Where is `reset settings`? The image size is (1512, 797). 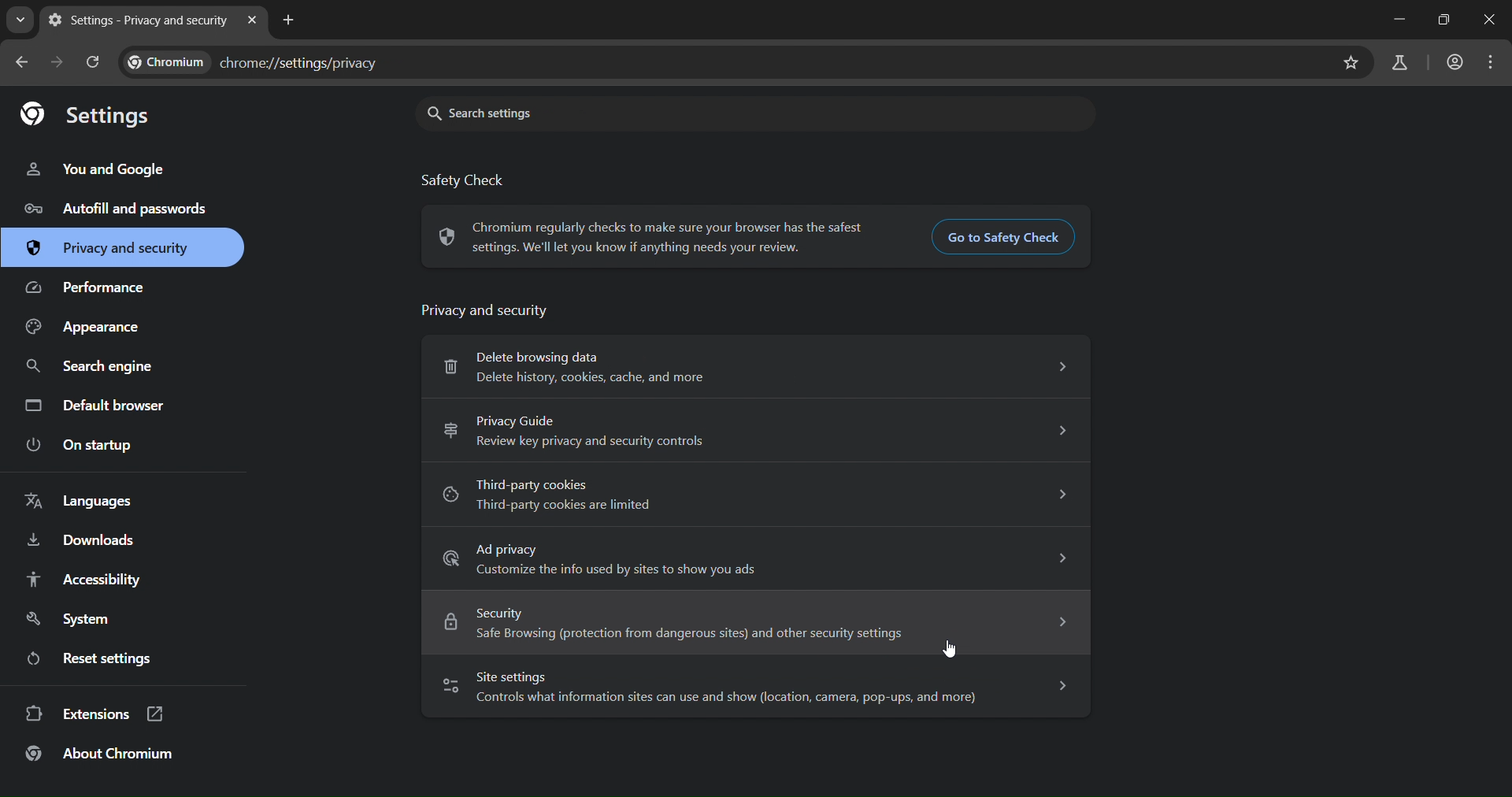
reset settings is located at coordinates (114, 660).